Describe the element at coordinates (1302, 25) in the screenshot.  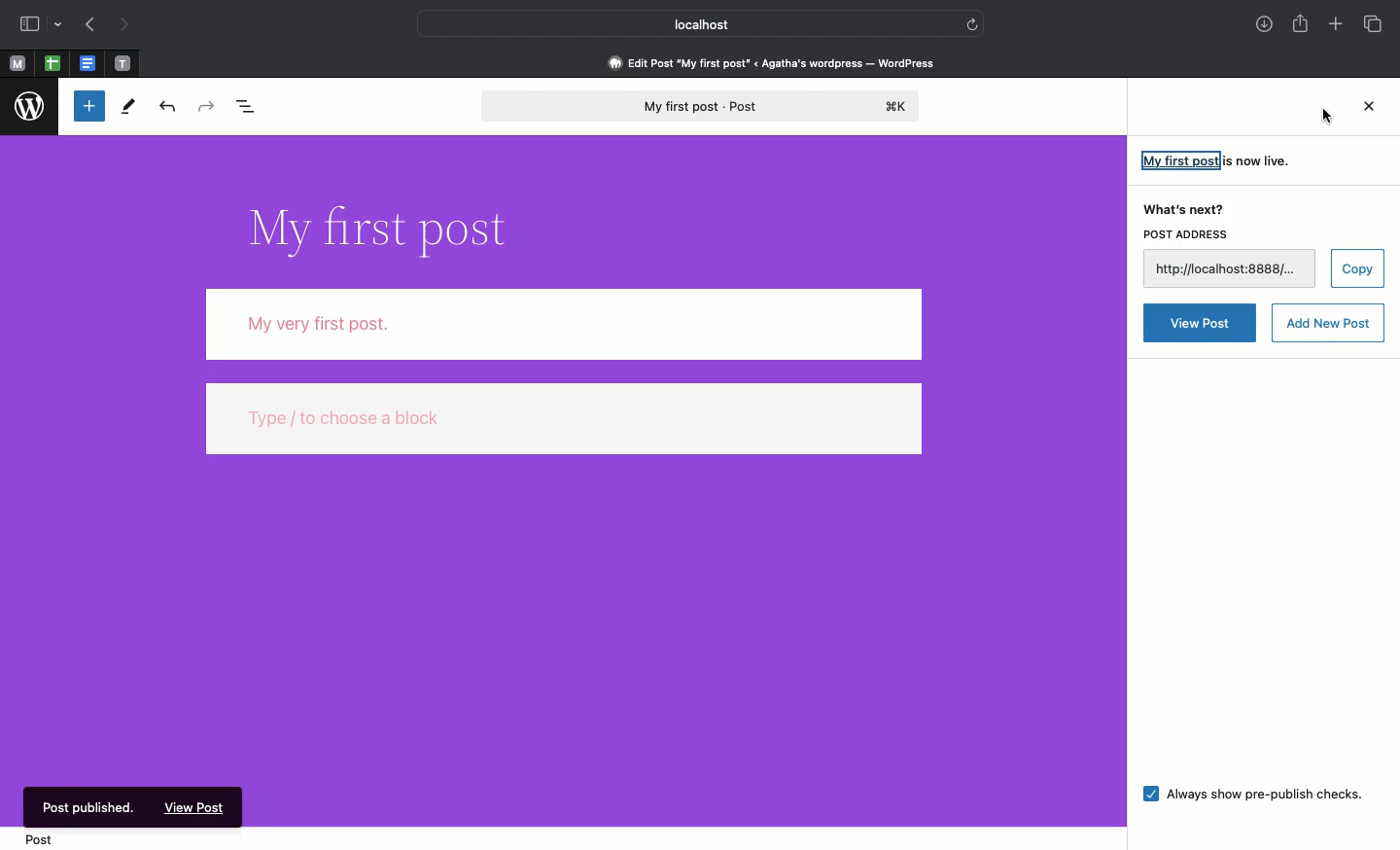
I see `Share` at that location.